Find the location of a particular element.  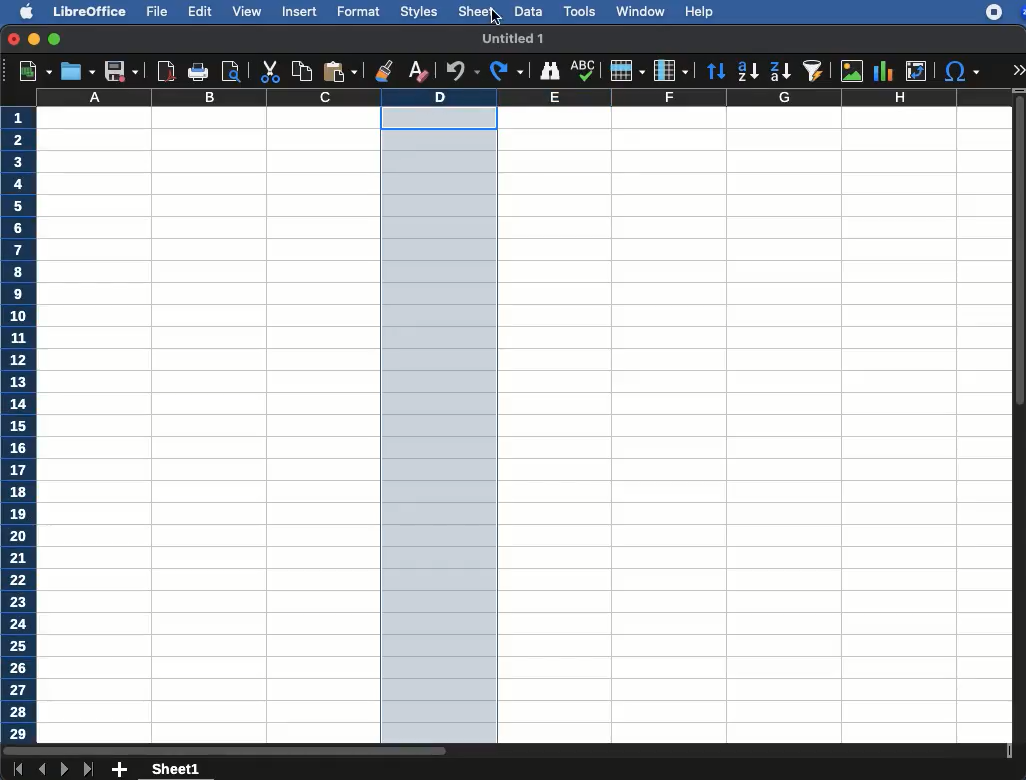

apple is located at coordinates (20, 12).